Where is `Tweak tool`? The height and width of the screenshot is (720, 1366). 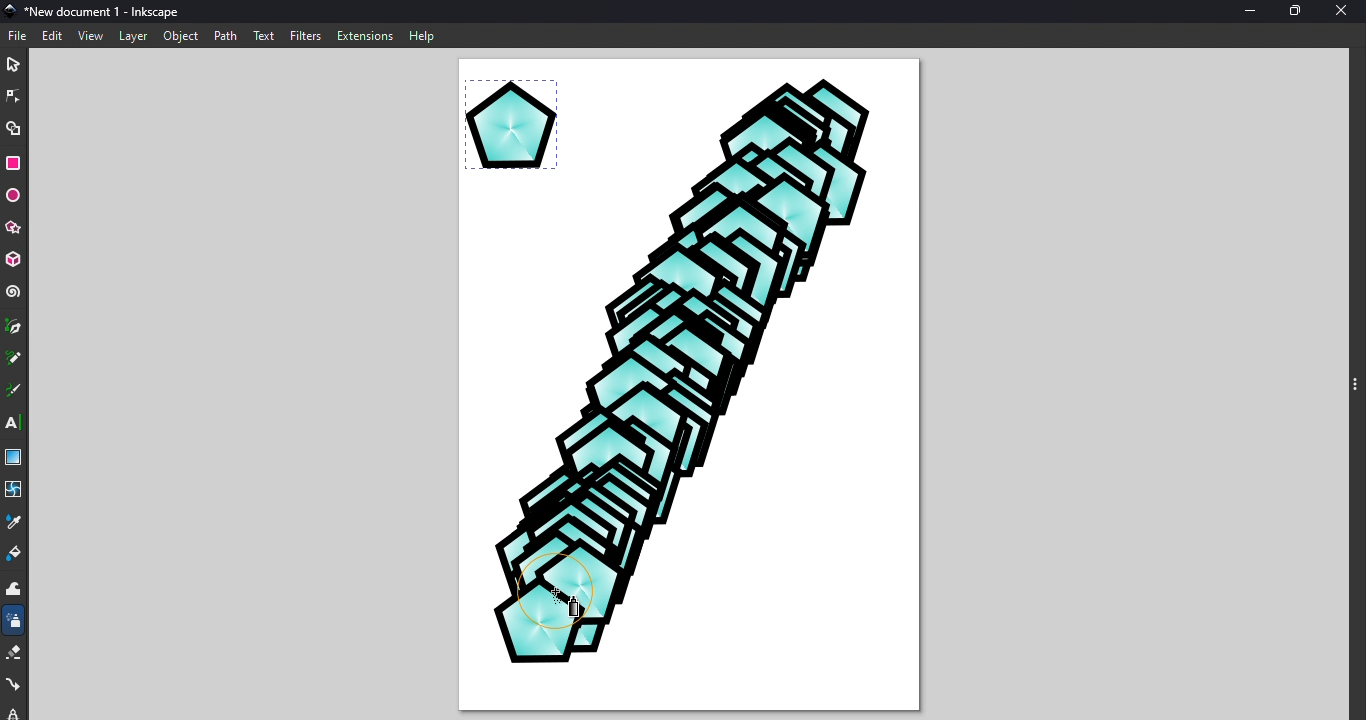 Tweak tool is located at coordinates (18, 591).